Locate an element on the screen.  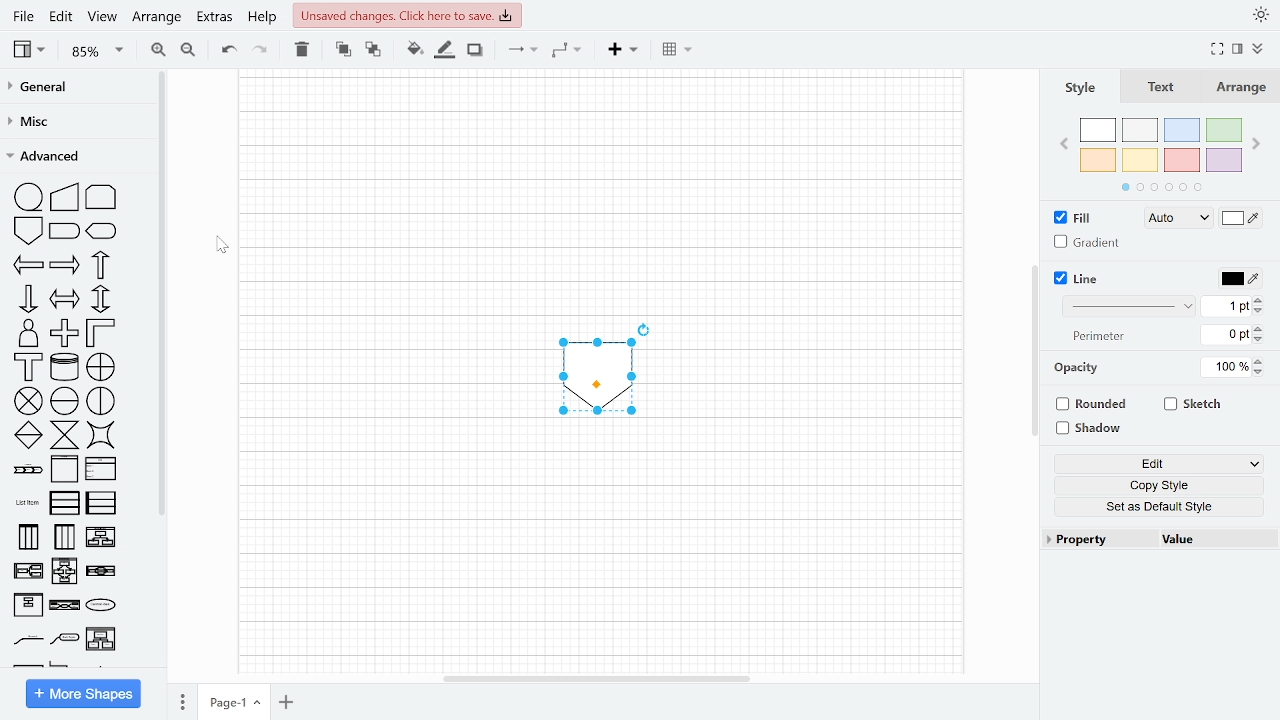
Advanced is located at coordinates (76, 156).